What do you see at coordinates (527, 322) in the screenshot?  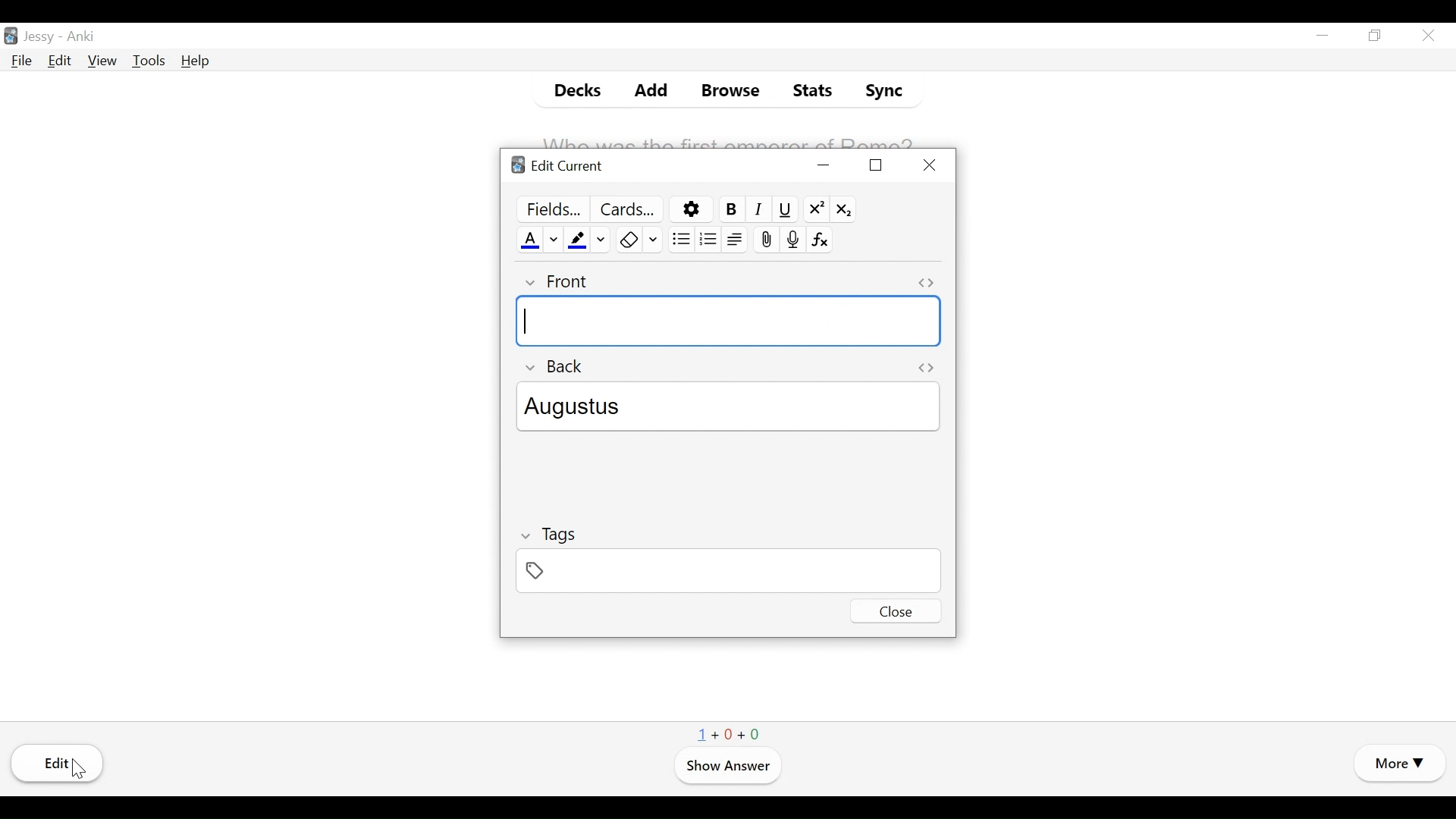 I see `Text Cursor` at bounding box center [527, 322].